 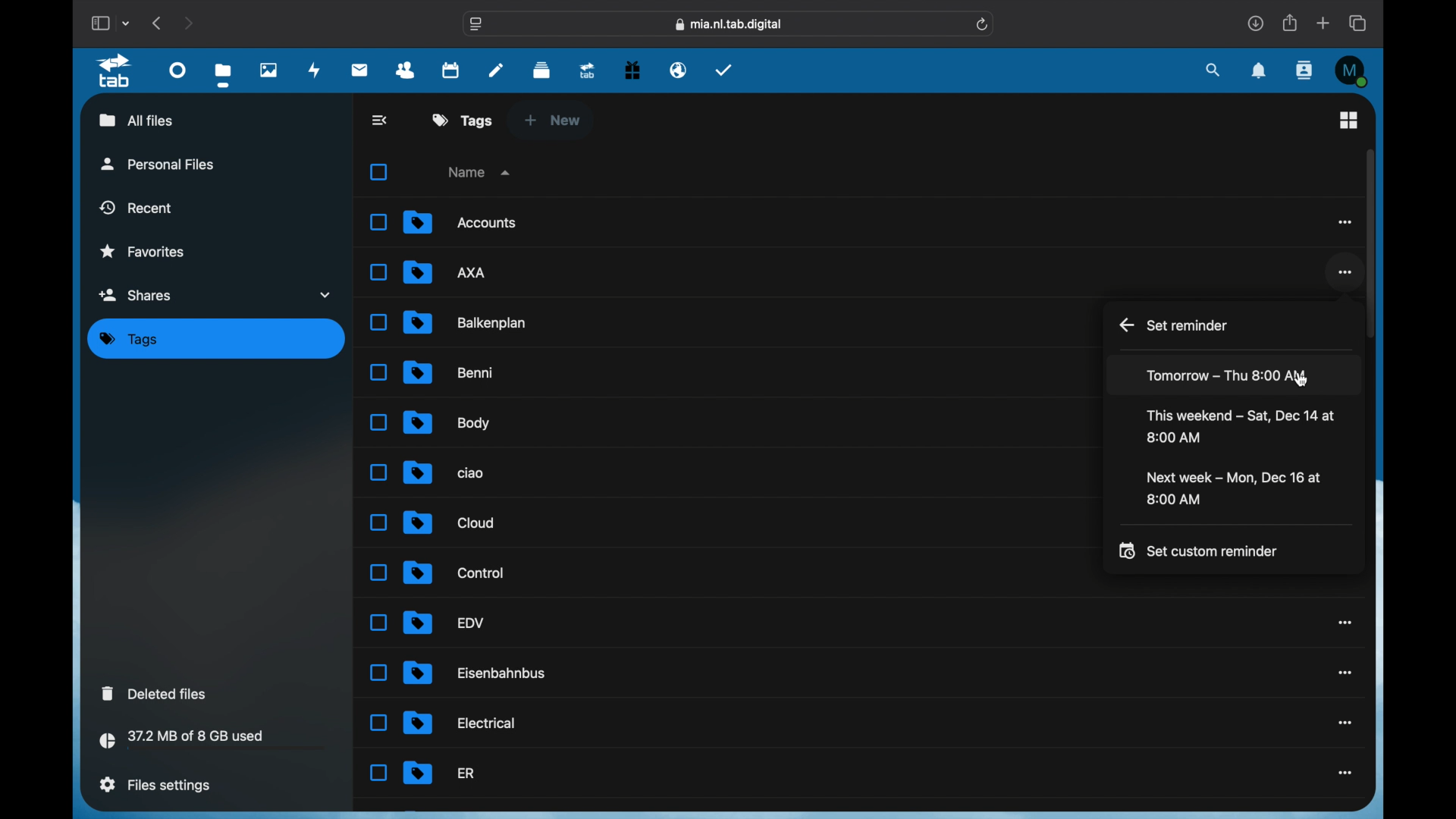 I want to click on contacts, so click(x=406, y=71).